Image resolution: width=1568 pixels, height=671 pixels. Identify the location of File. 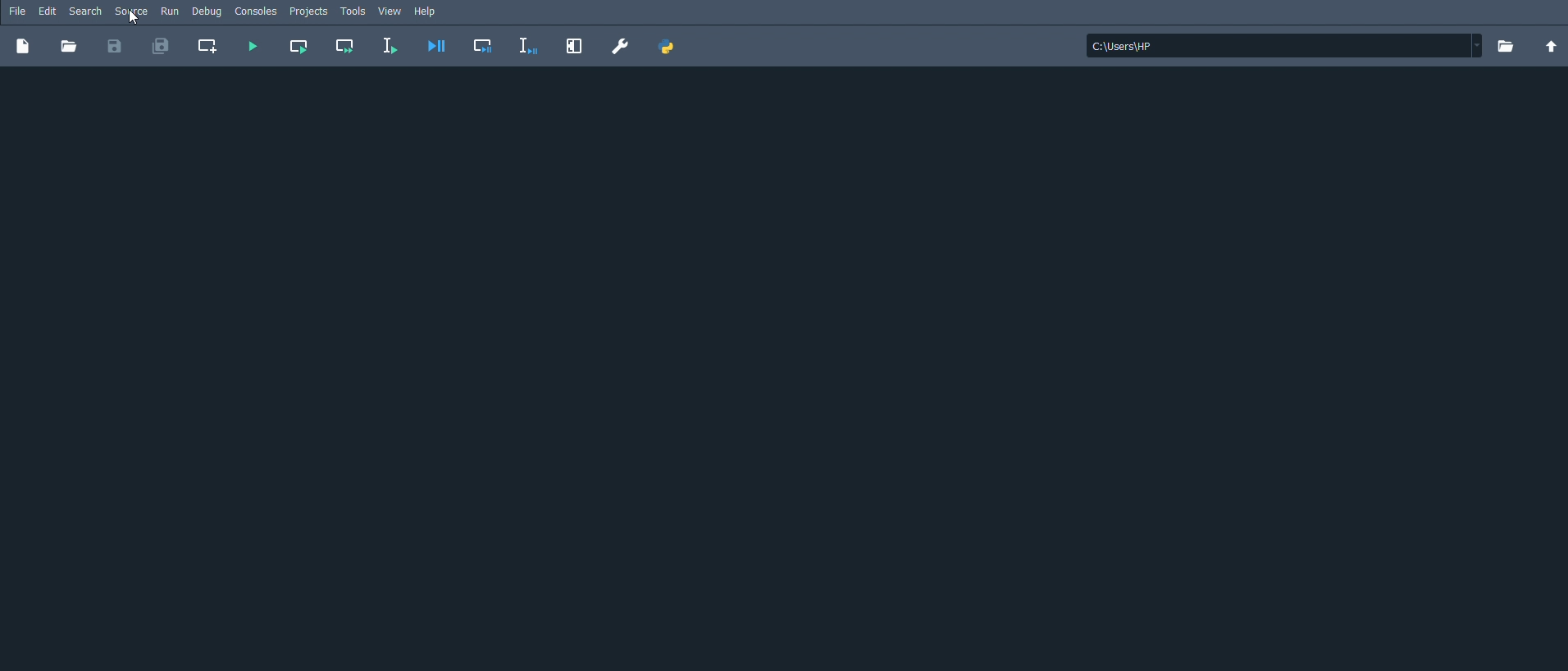
(17, 11).